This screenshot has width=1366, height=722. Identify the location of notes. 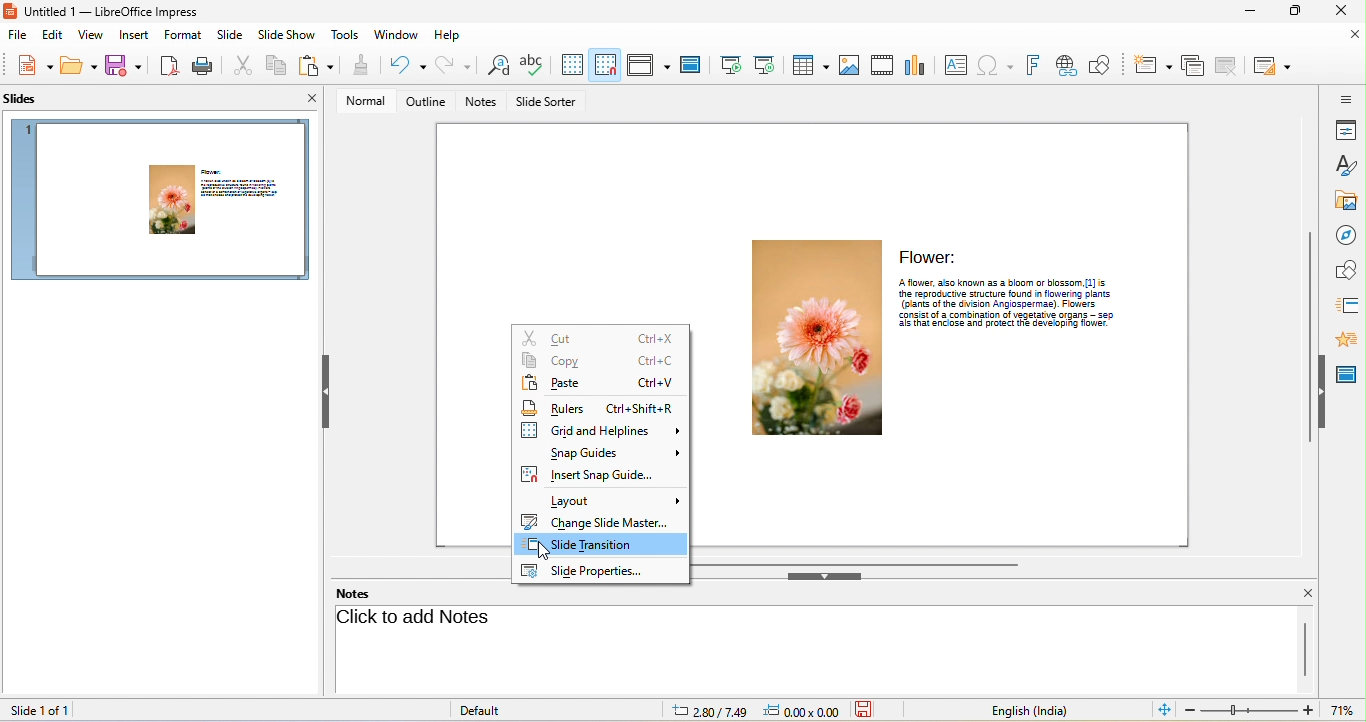
(352, 593).